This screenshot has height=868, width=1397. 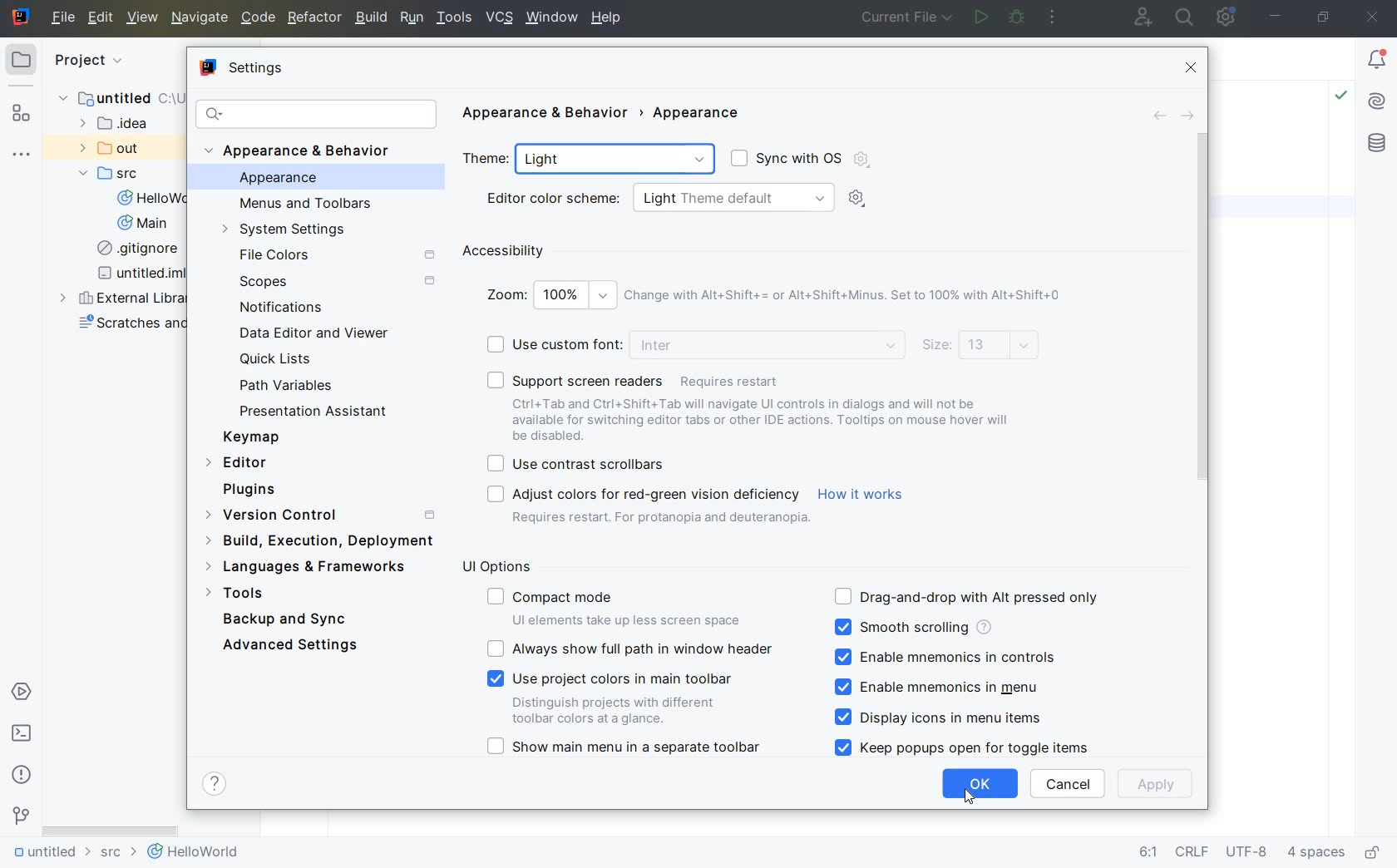 What do you see at coordinates (143, 19) in the screenshot?
I see `VIEW` at bounding box center [143, 19].